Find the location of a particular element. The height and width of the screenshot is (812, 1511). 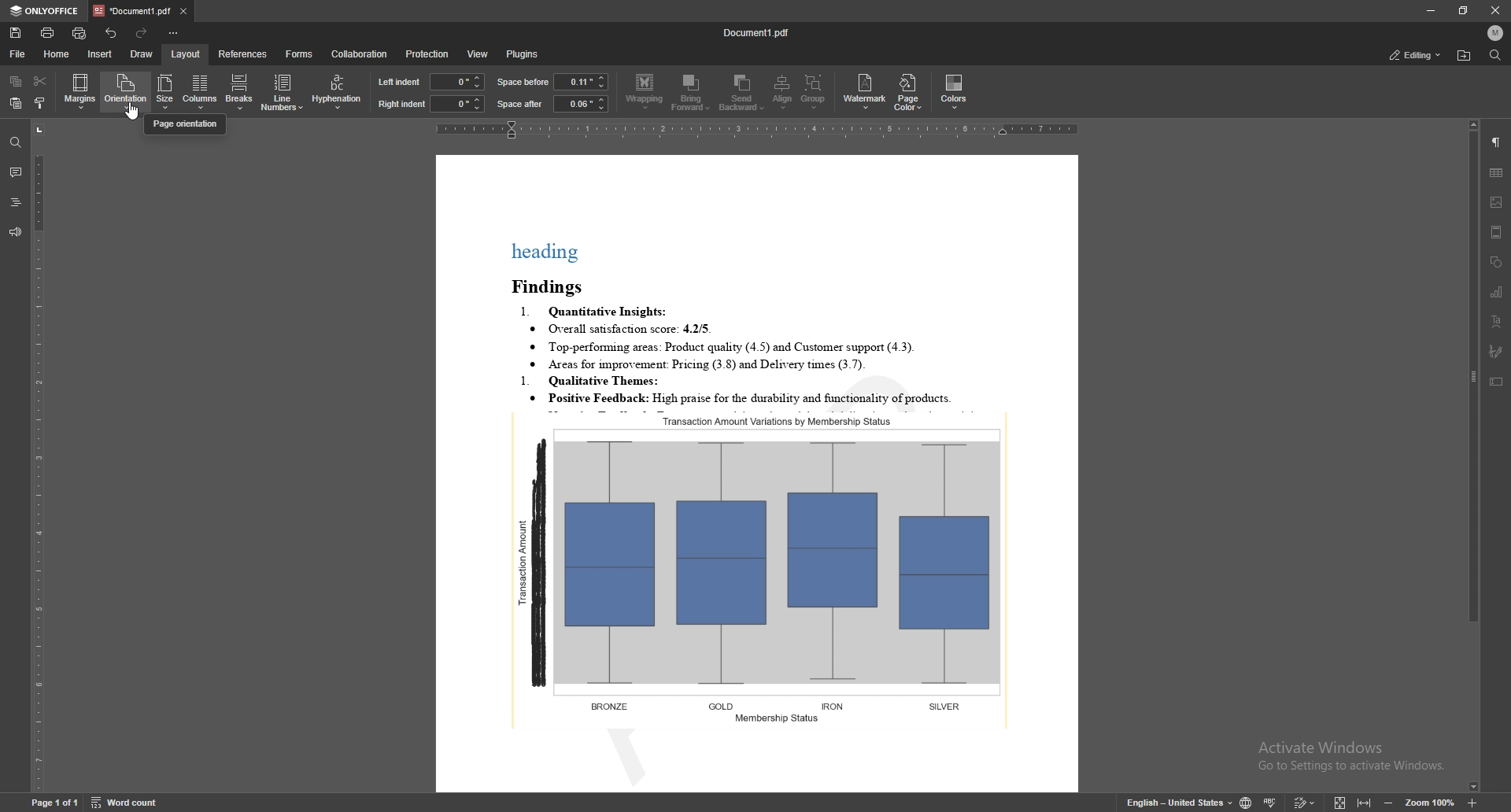

word count is located at coordinates (126, 802).